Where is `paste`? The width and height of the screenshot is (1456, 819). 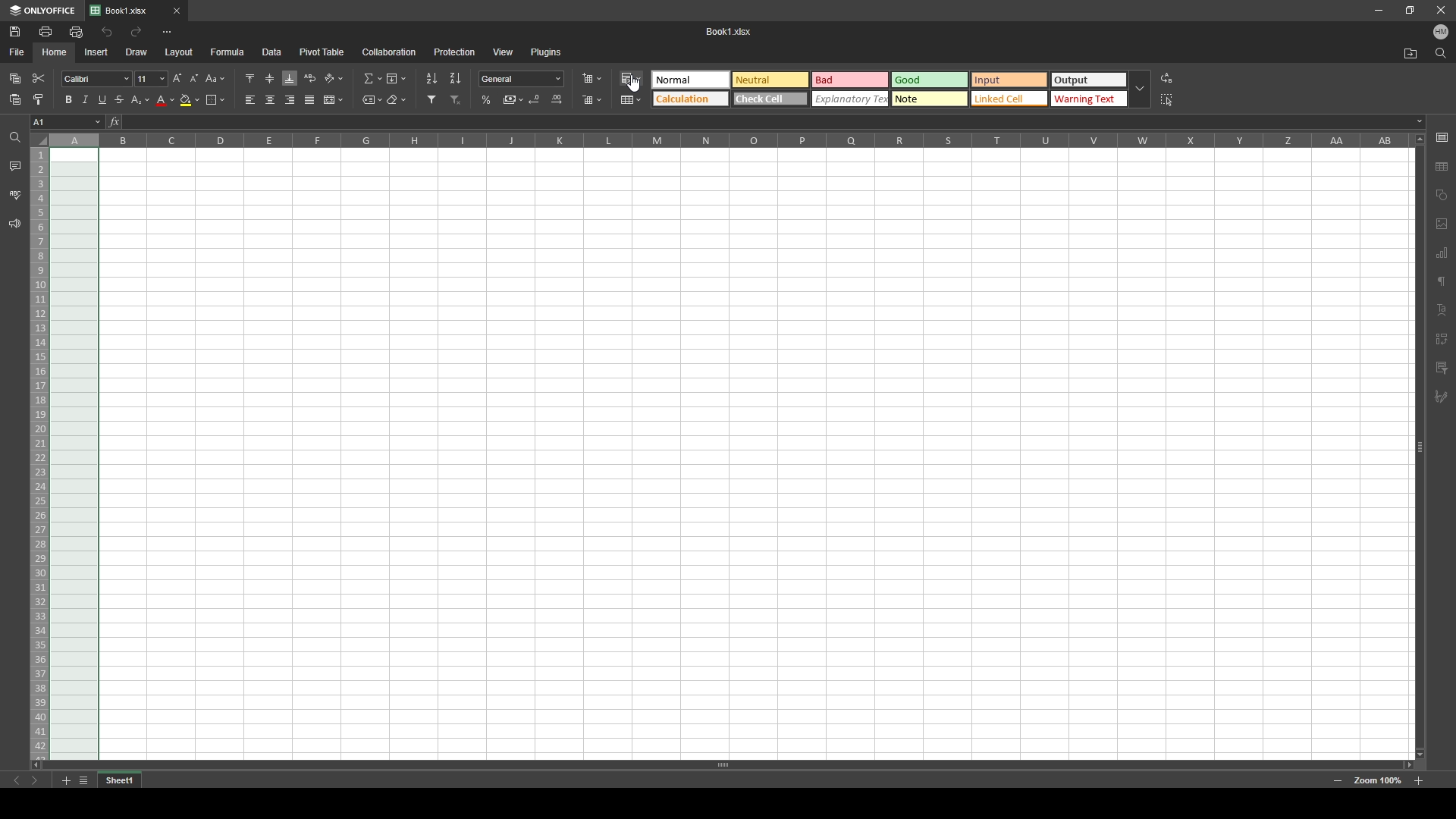
paste is located at coordinates (15, 100).